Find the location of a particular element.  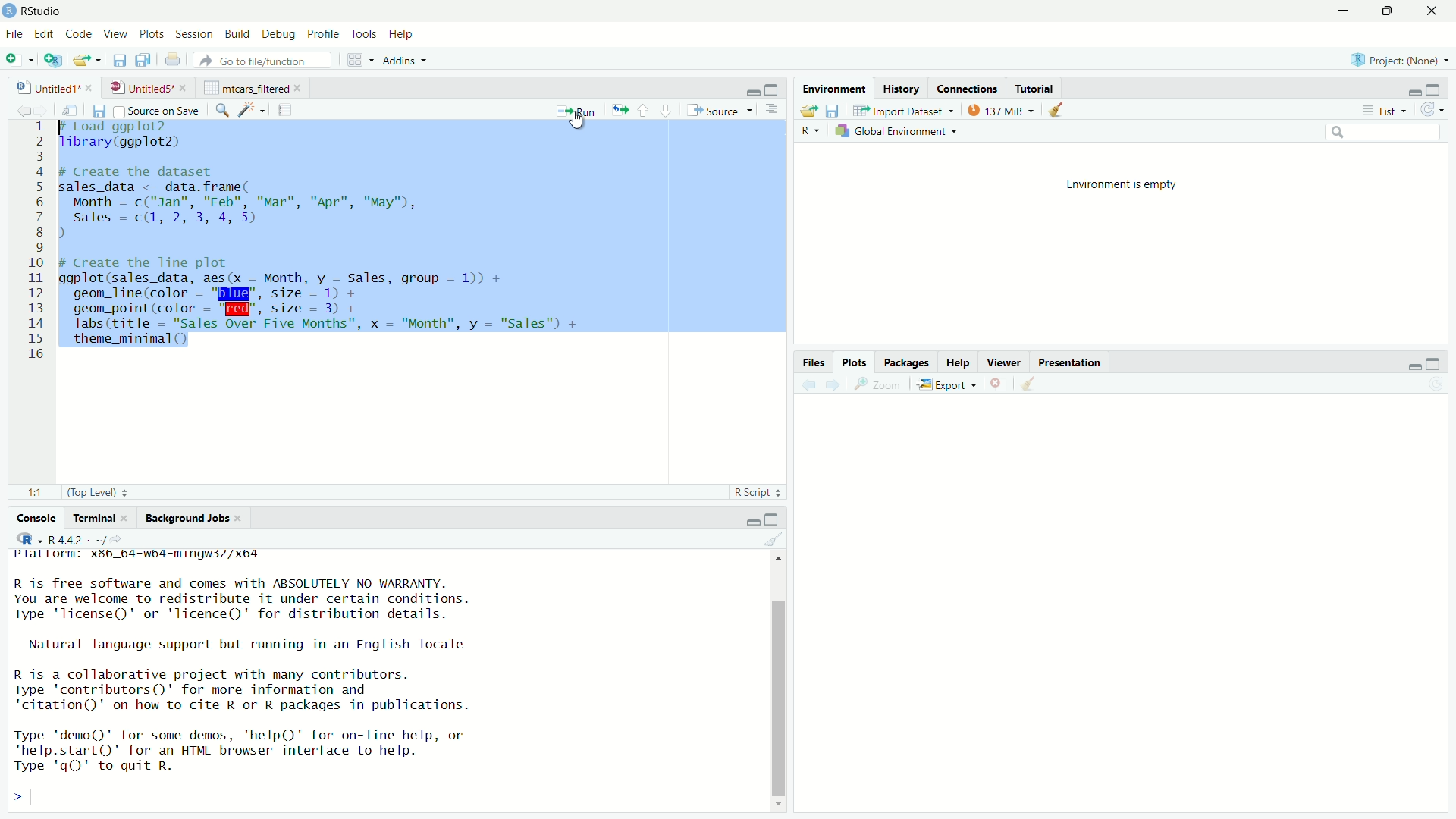

session is located at coordinates (195, 35).